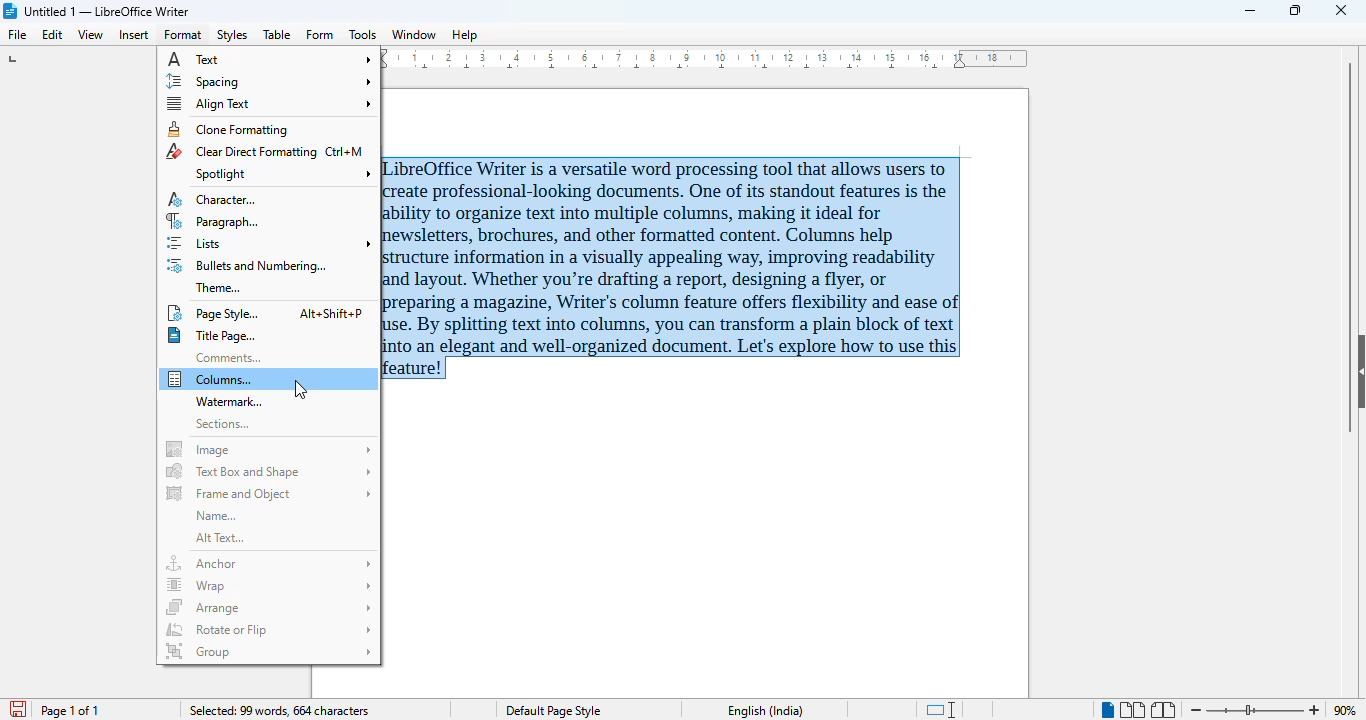 The image size is (1366, 720). What do you see at coordinates (1132, 710) in the screenshot?
I see `multi-page view` at bounding box center [1132, 710].